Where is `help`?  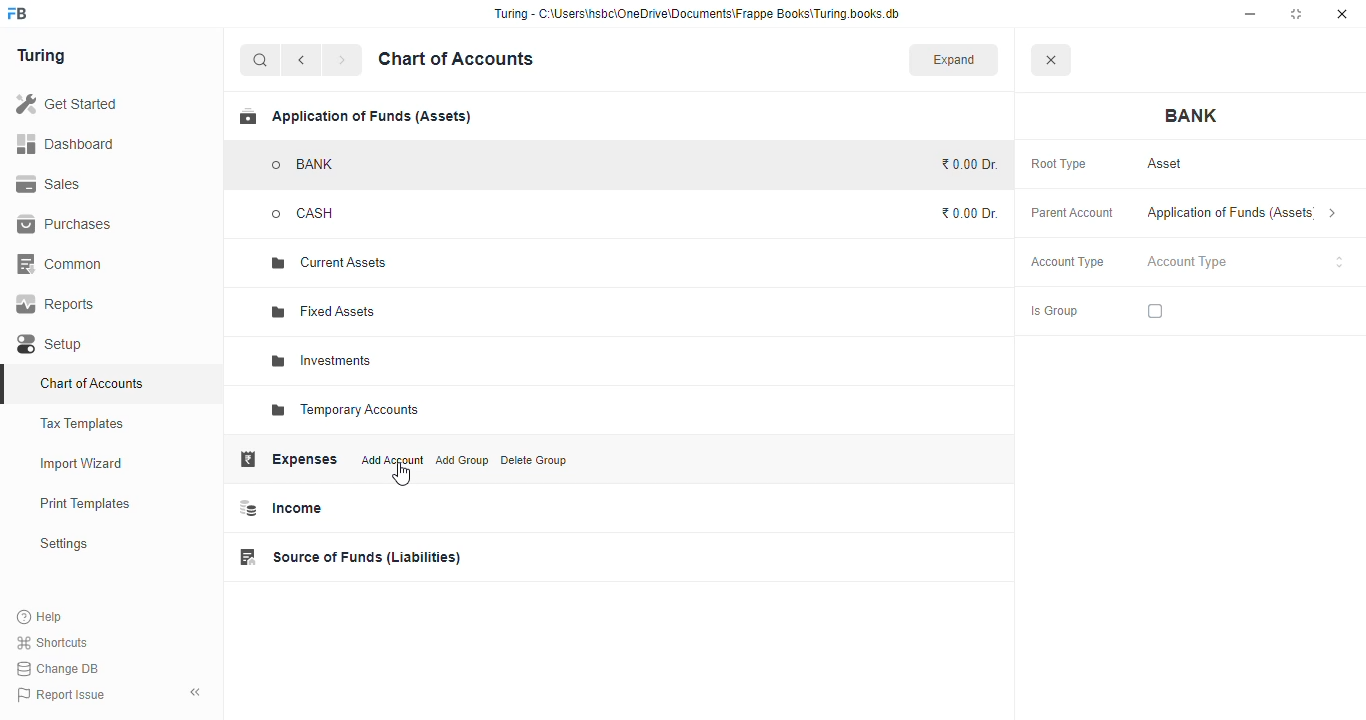
help is located at coordinates (40, 616).